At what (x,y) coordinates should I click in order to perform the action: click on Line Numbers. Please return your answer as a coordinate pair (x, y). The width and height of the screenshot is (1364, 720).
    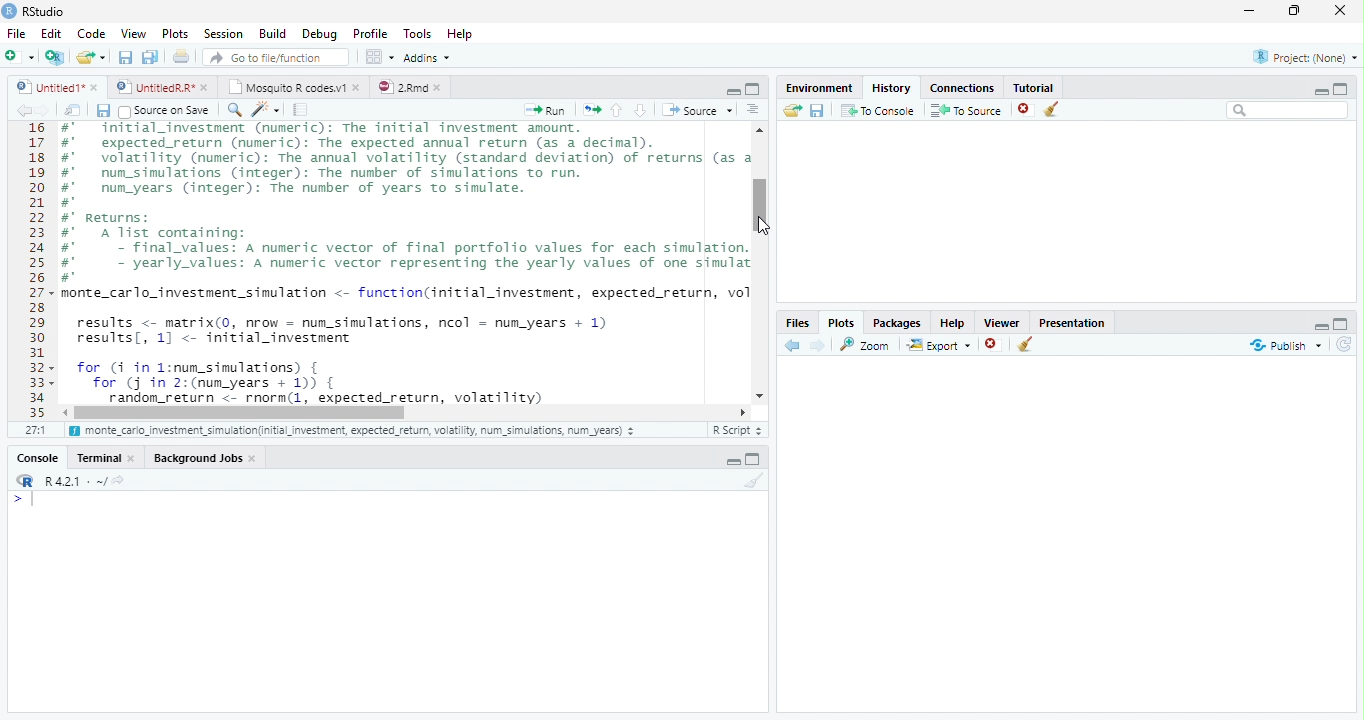
    Looking at the image, I should click on (35, 270).